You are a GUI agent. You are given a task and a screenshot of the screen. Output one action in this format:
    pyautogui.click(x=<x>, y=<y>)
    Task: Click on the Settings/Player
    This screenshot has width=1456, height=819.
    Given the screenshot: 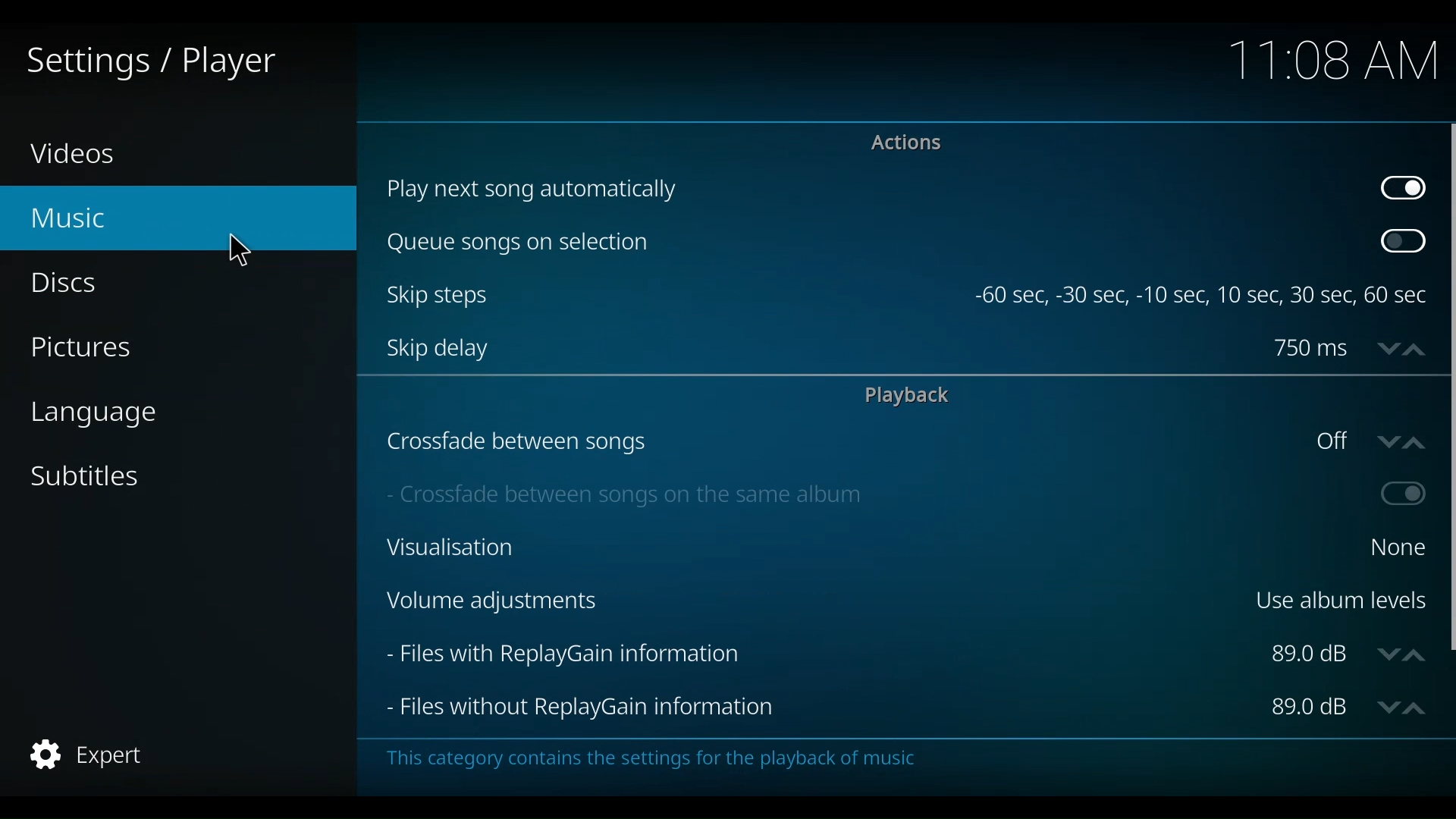 What is the action you would take?
    pyautogui.click(x=149, y=61)
    